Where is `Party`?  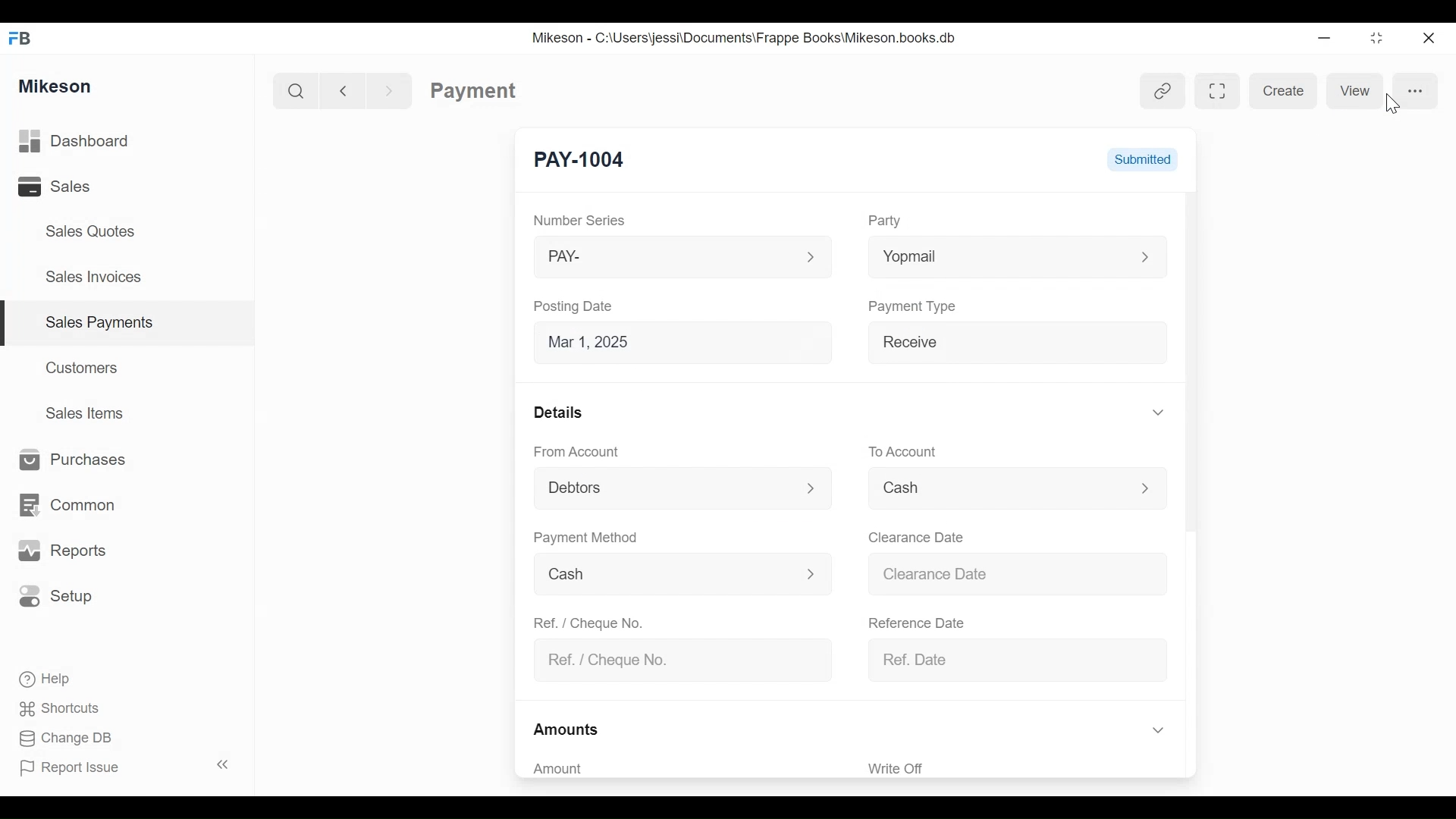
Party is located at coordinates (889, 221).